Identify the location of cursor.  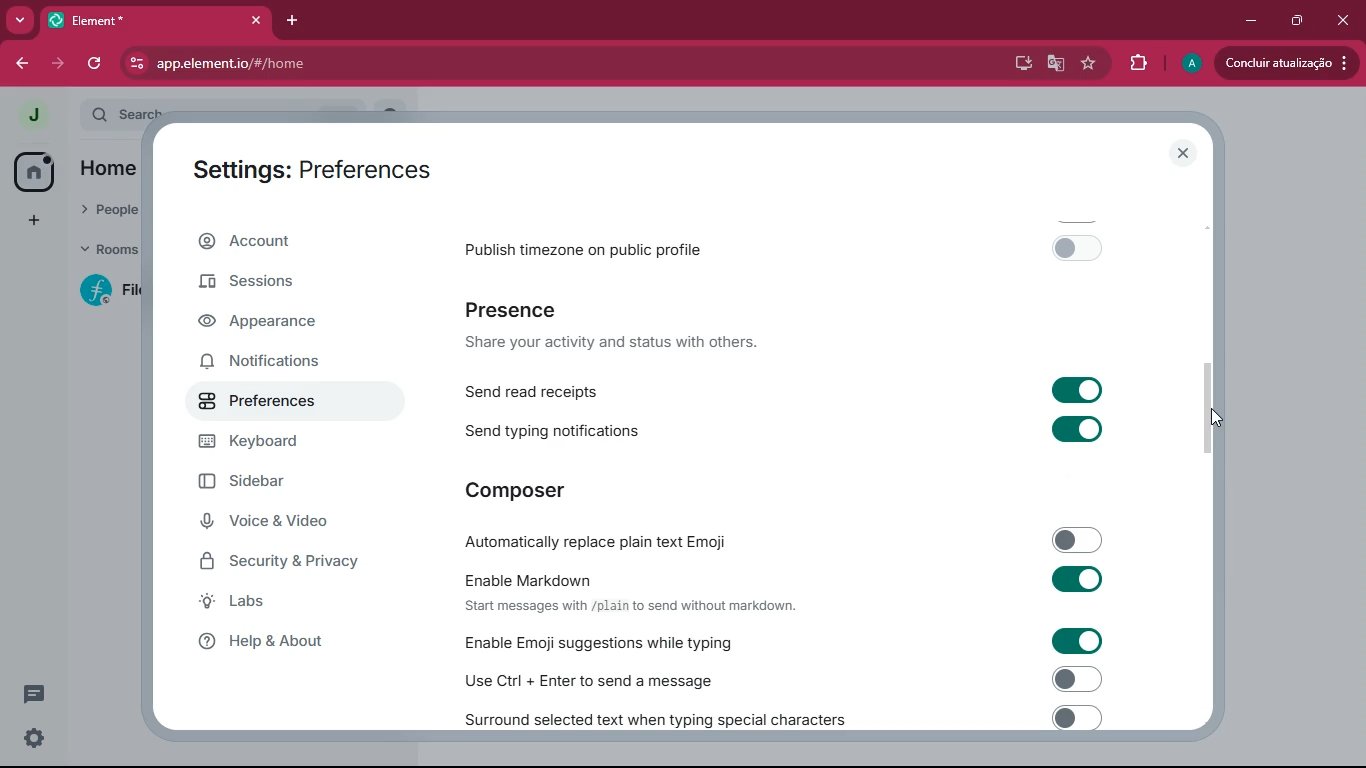
(1217, 418).